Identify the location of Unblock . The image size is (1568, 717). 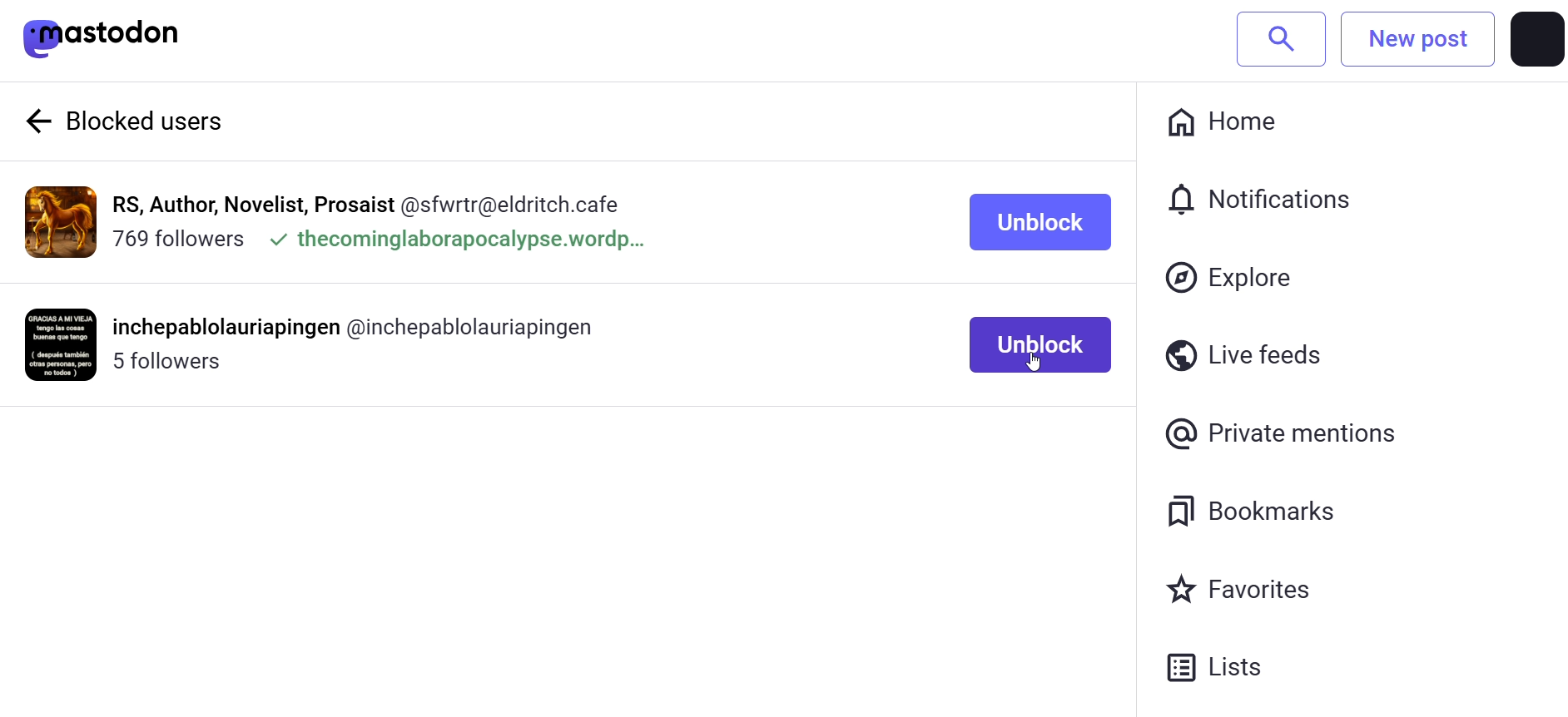
(1036, 344).